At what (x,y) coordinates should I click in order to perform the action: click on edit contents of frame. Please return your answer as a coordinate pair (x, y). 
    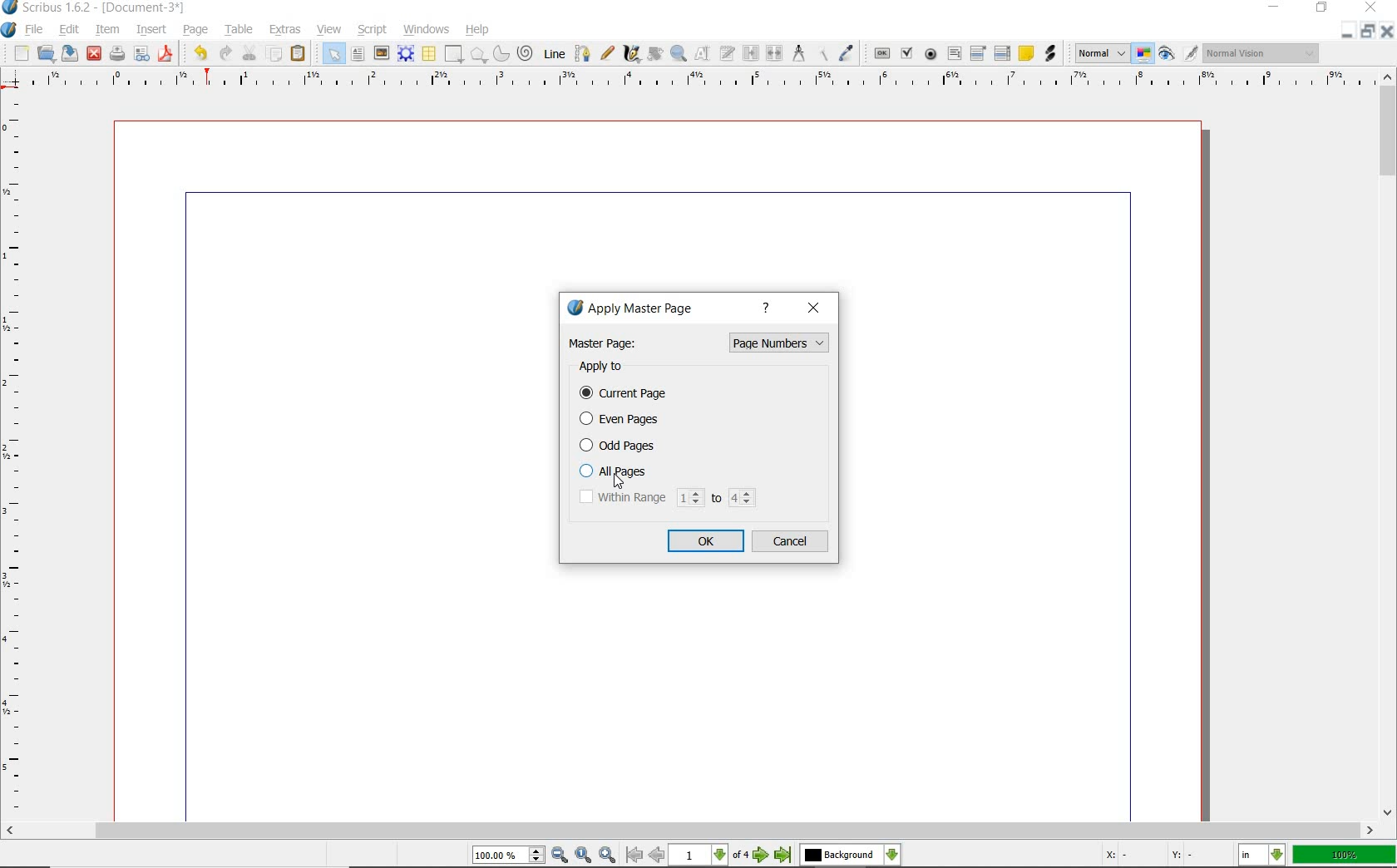
    Looking at the image, I should click on (700, 54).